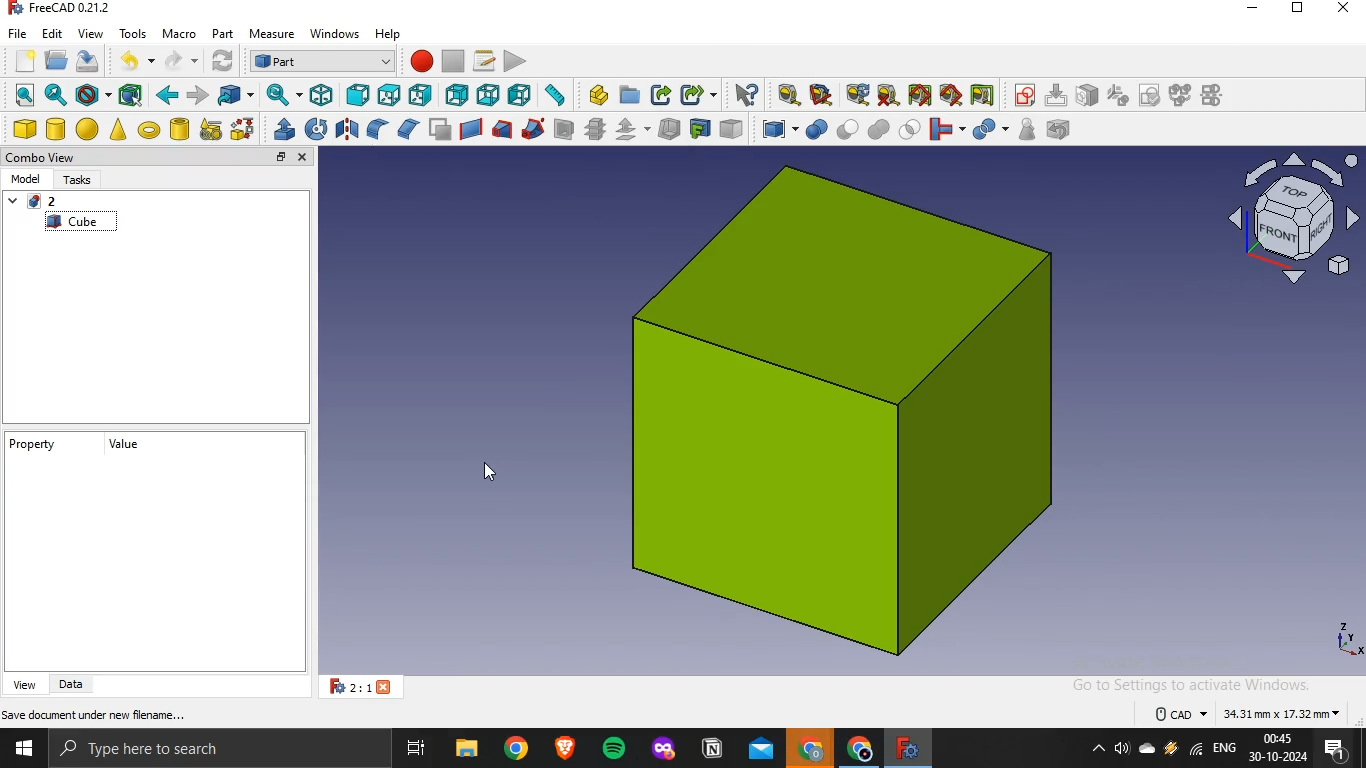 Image resolution: width=1366 pixels, height=768 pixels. I want to click on start, so click(20, 751).